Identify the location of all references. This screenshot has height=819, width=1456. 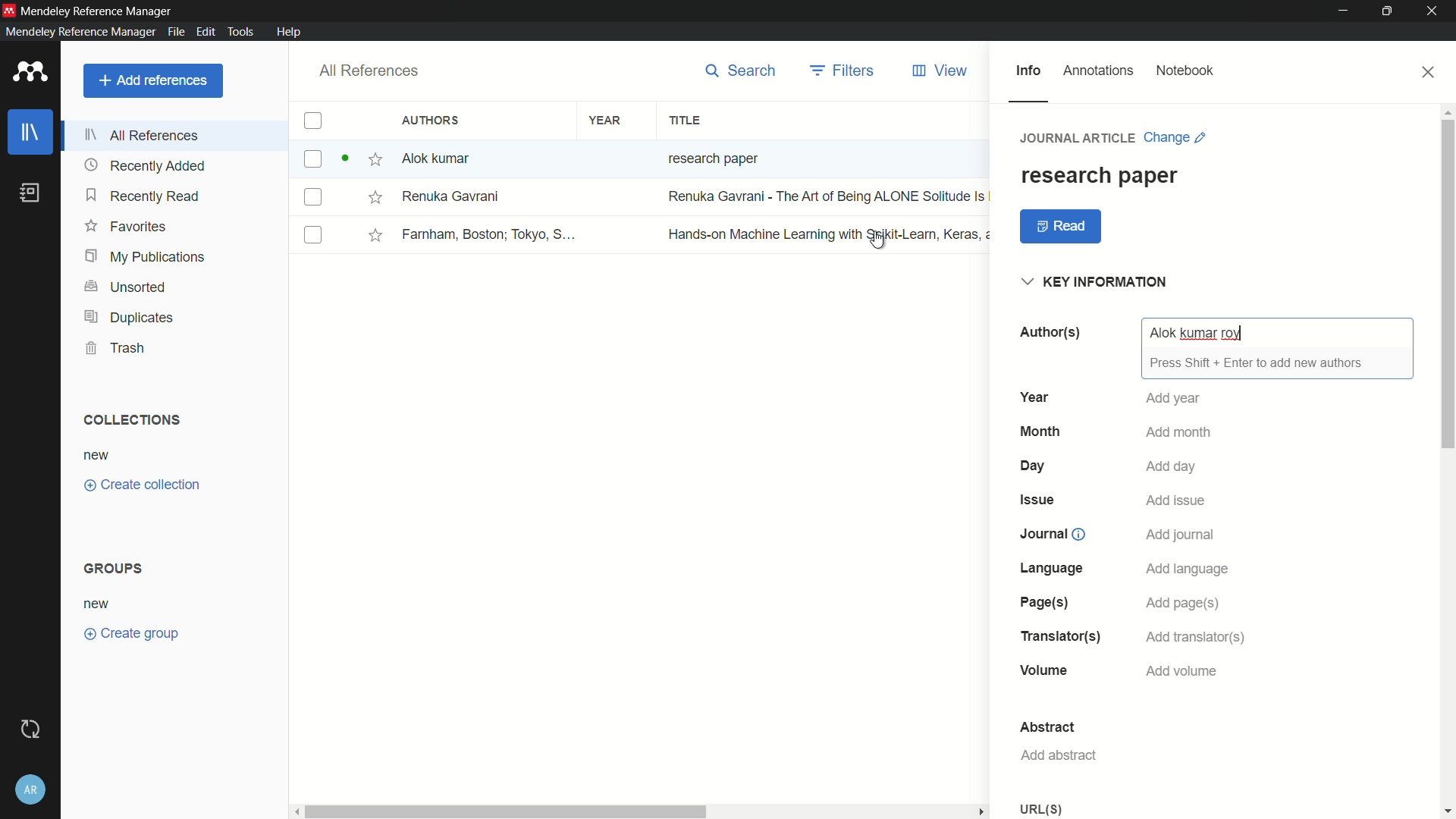
(143, 135).